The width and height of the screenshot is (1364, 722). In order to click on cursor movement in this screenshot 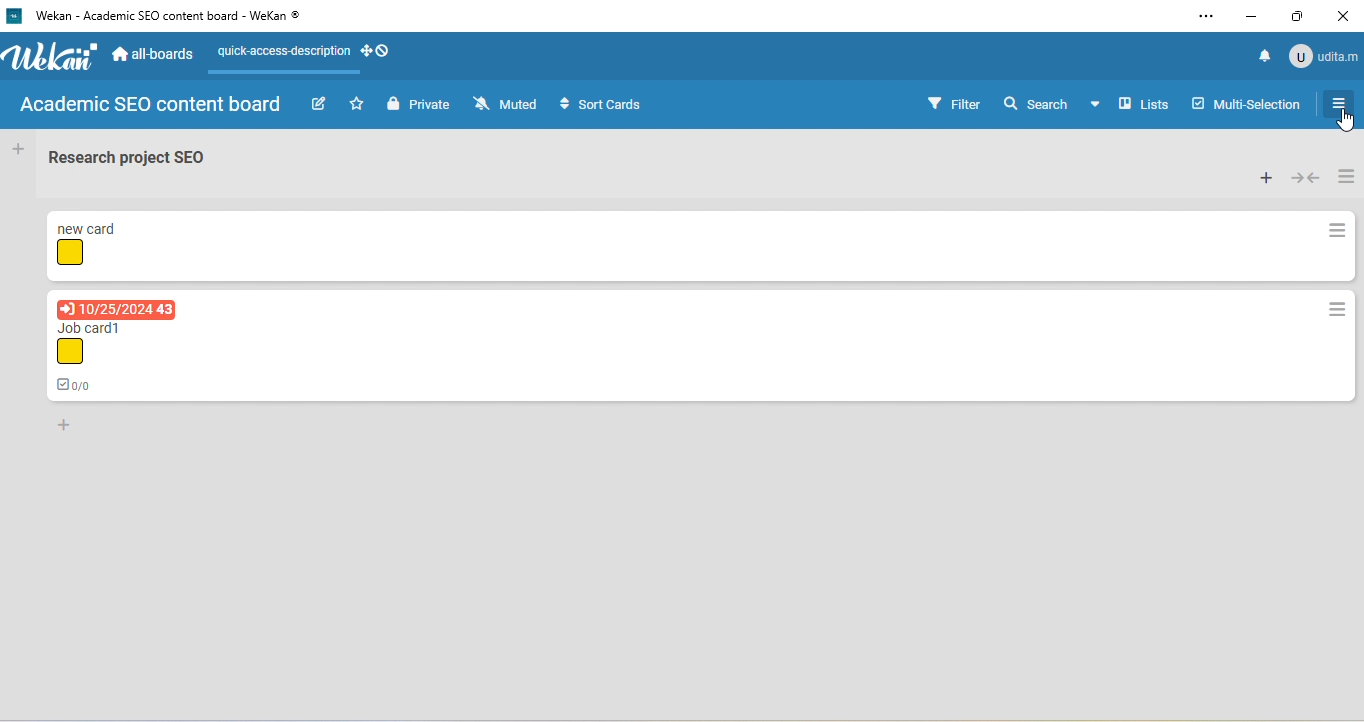, I will do `click(1347, 121)`.